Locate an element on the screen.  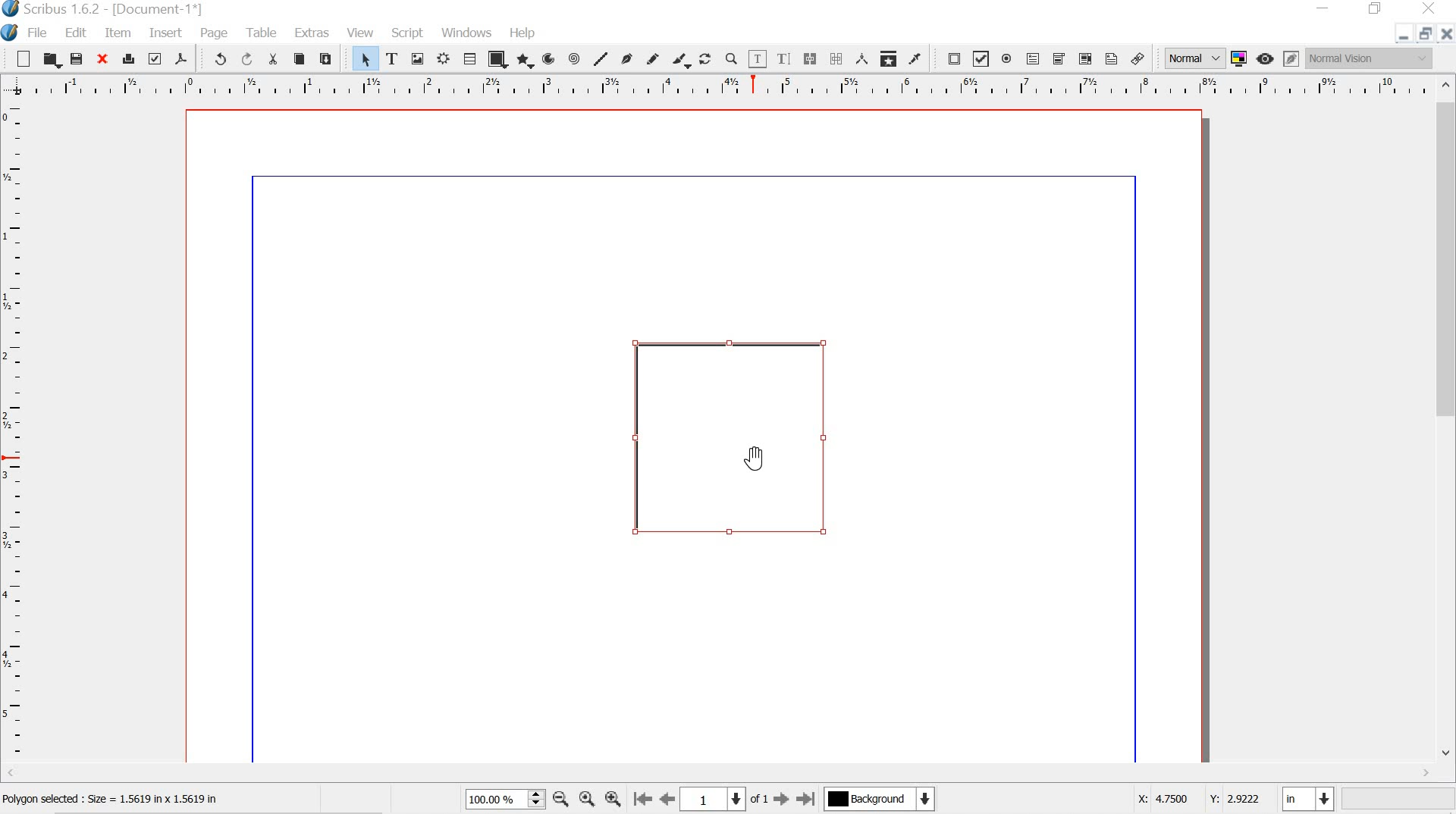
preflight verifier is located at coordinates (156, 61).